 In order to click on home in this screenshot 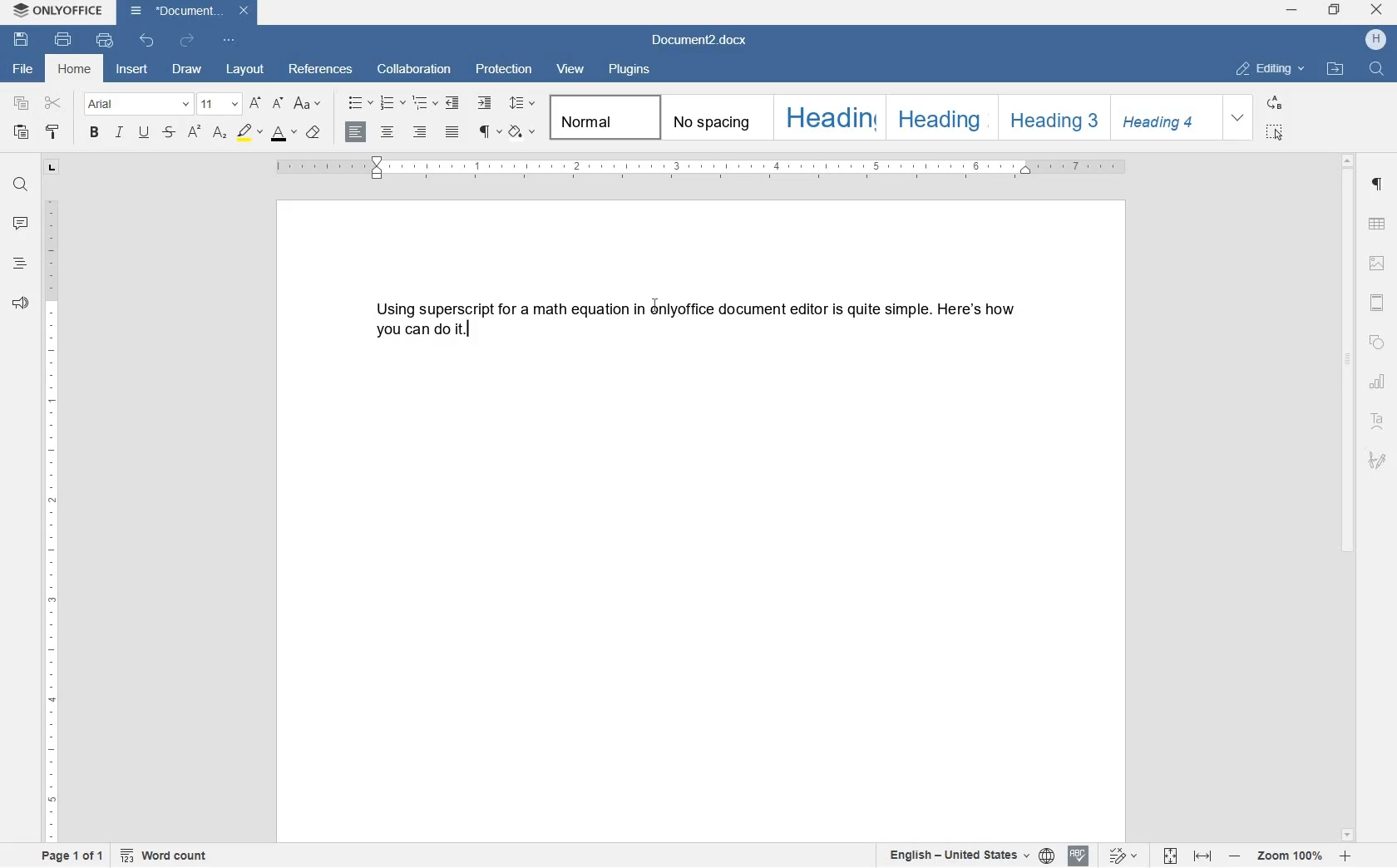, I will do `click(76, 68)`.